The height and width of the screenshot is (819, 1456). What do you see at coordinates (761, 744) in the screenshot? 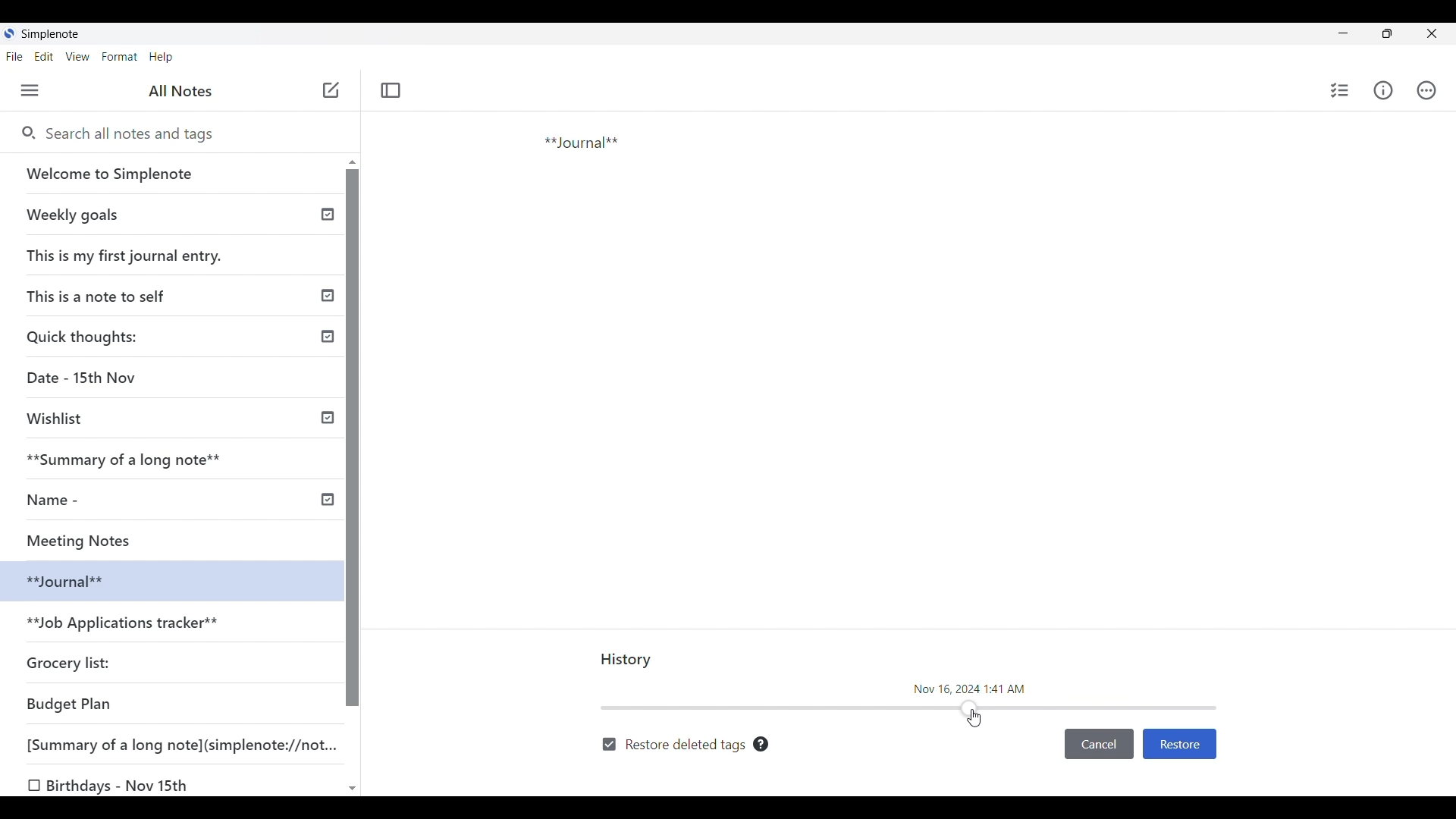
I see `Description of toggle next to it` at bounding box center [761, 744].